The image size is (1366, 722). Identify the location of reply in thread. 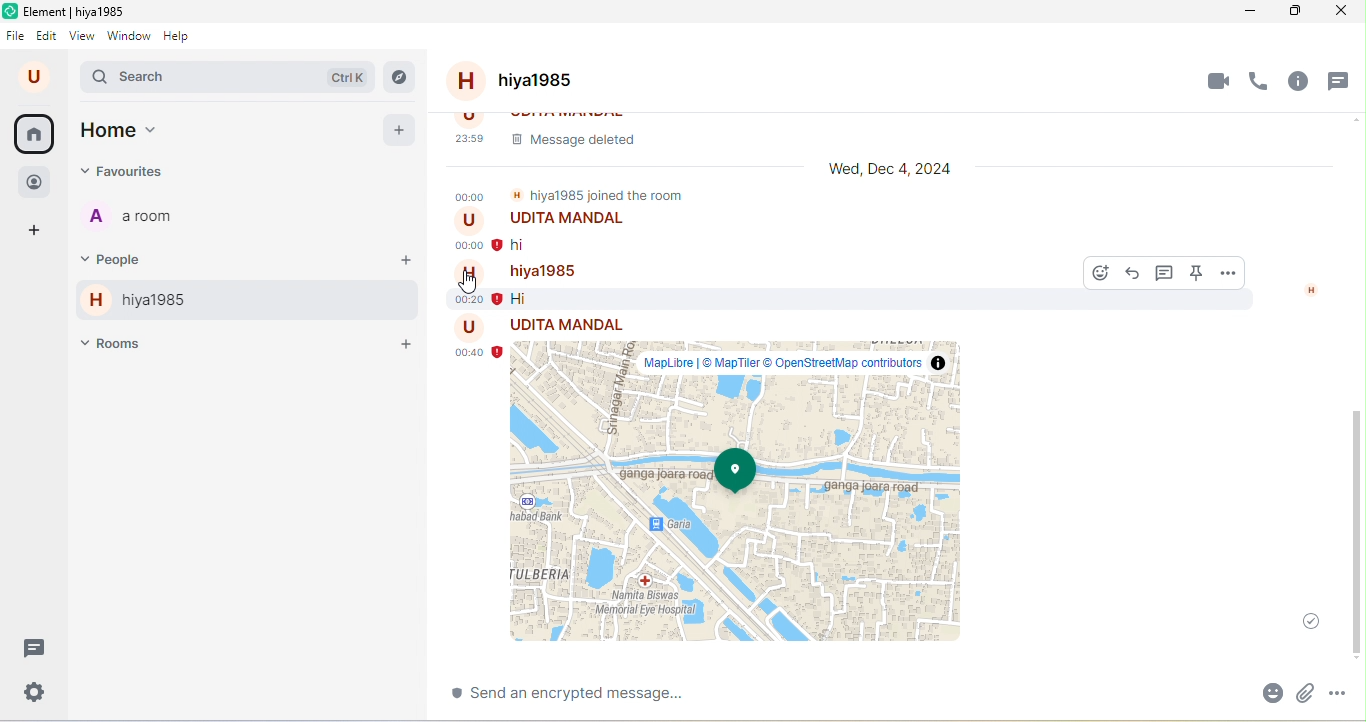
(1166, 275).